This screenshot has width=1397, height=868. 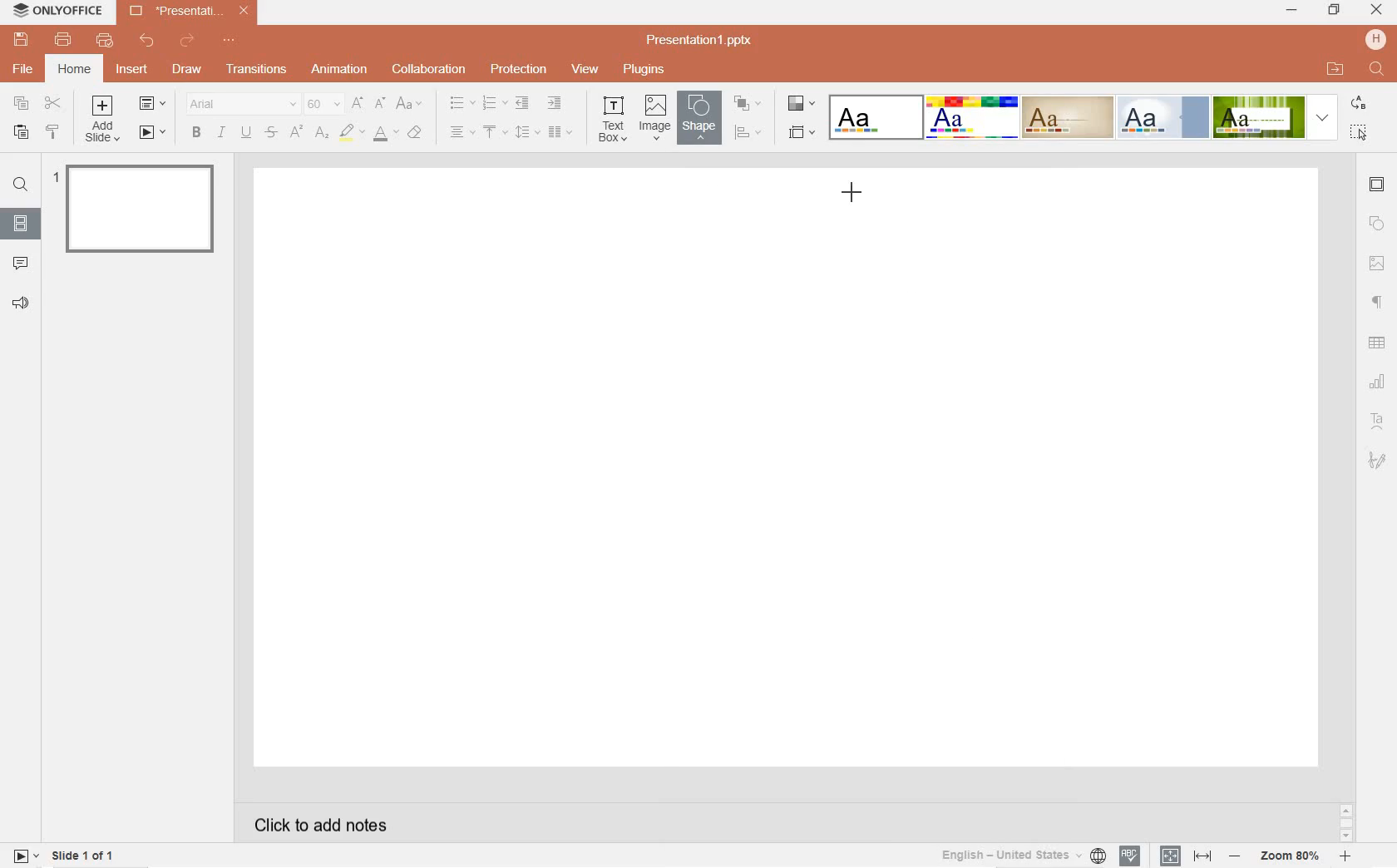 I want to click on align shape, so click(x=748, y=132).